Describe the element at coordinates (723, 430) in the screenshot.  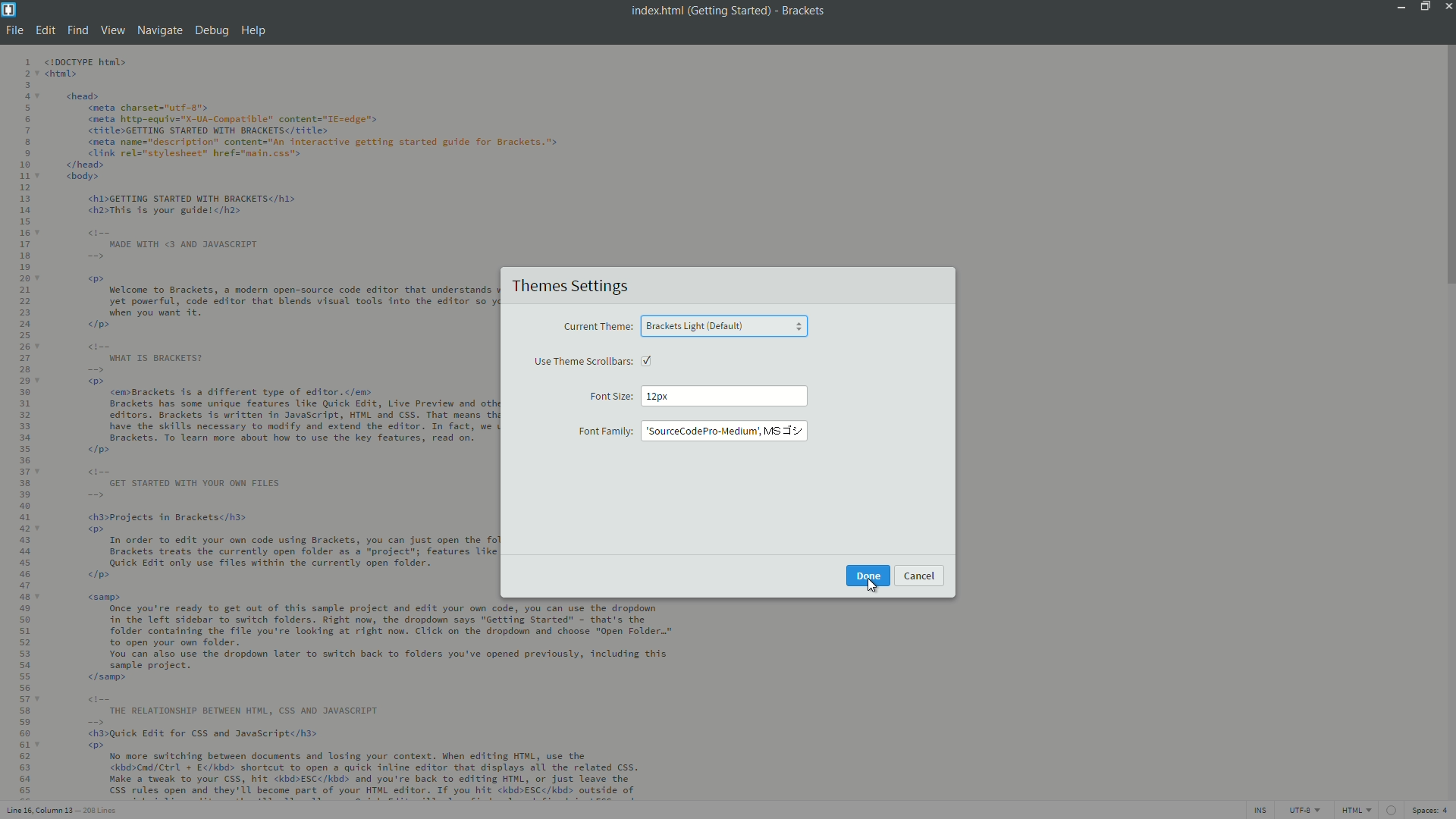
I see `font family name` at that location.